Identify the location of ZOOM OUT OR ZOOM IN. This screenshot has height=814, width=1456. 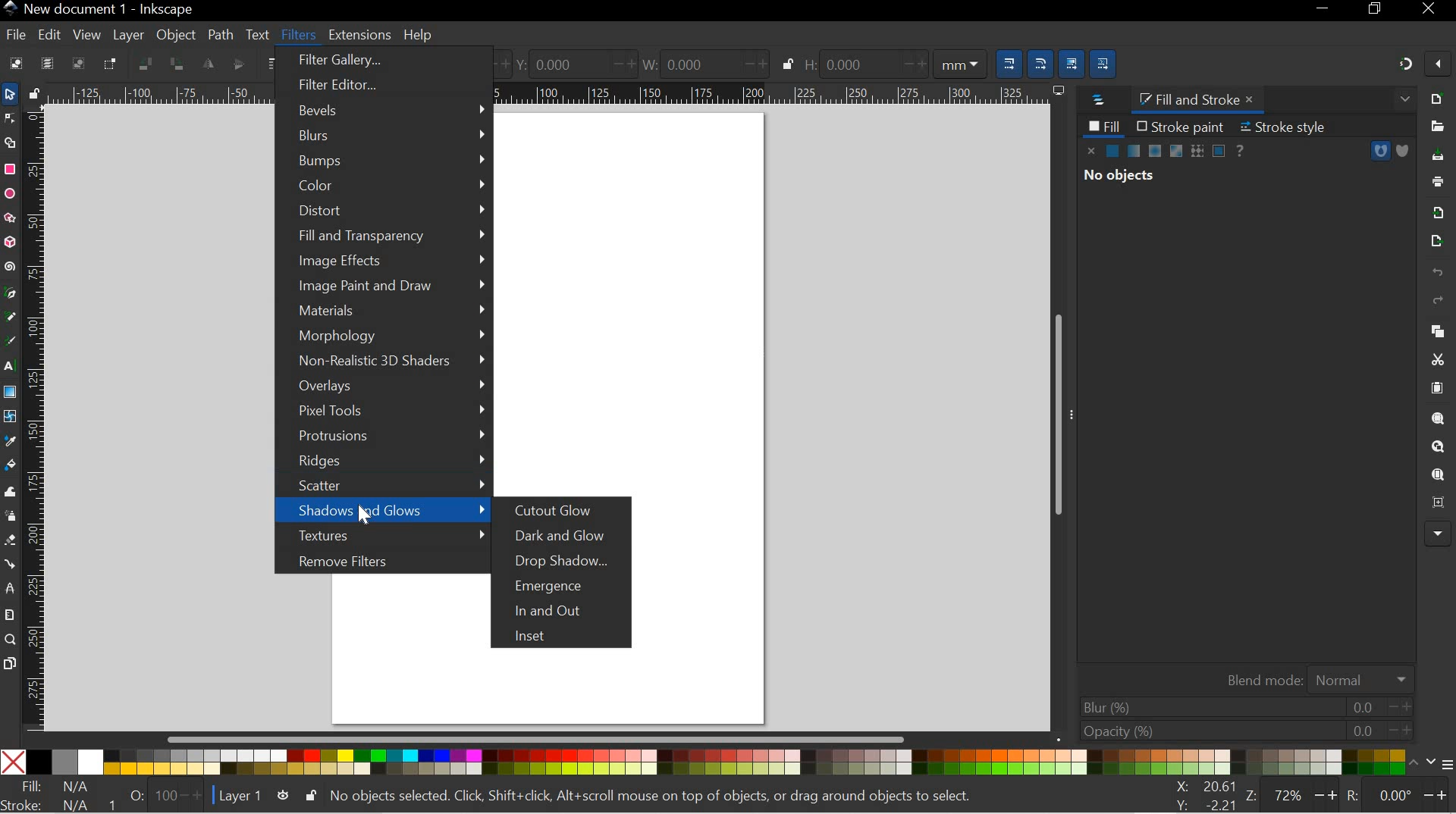
(1293, 795).